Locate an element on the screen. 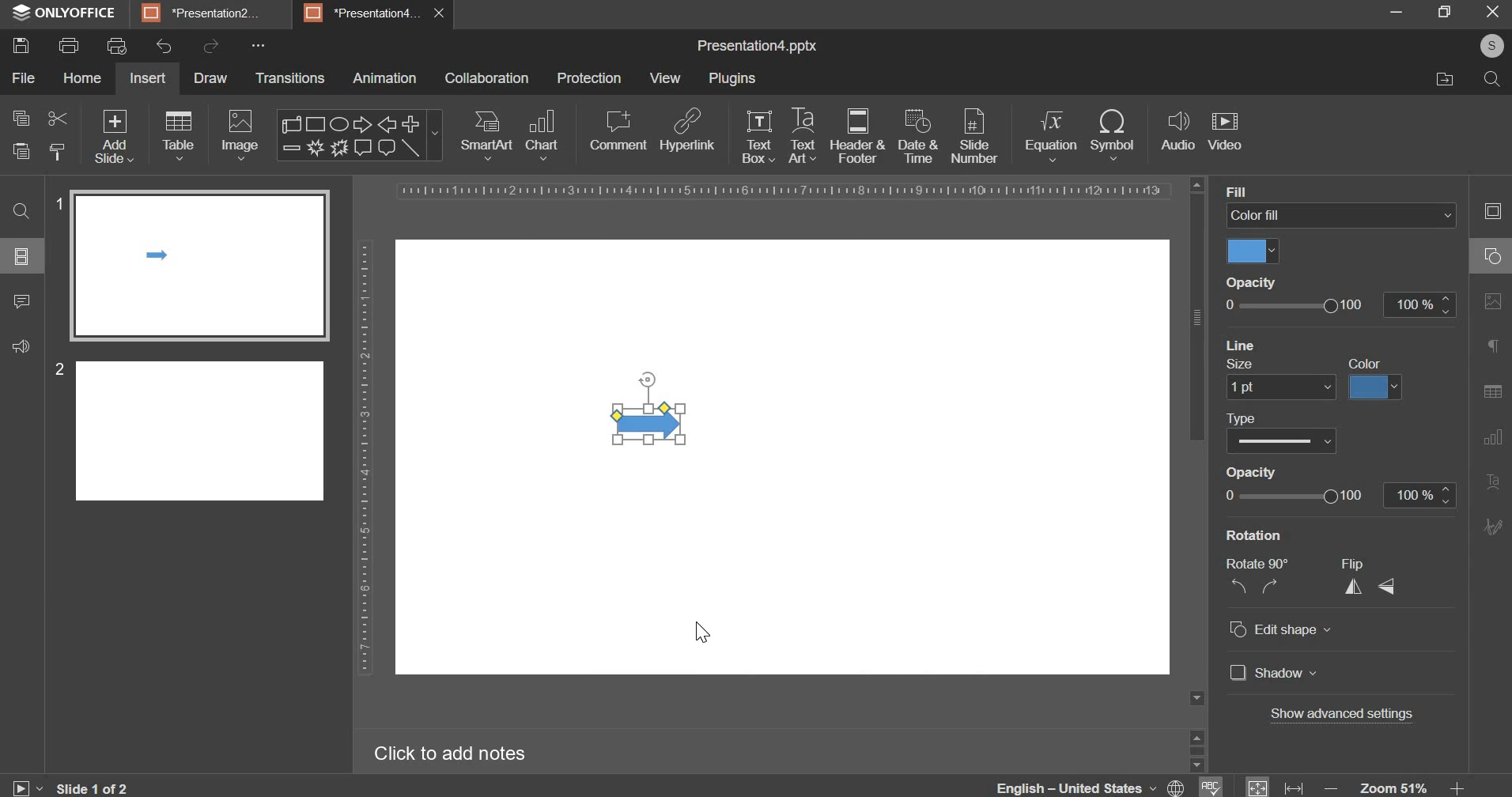 The height and width of the screenshot is (797, 1512). hyperlink is located at coordinates (687, 132).